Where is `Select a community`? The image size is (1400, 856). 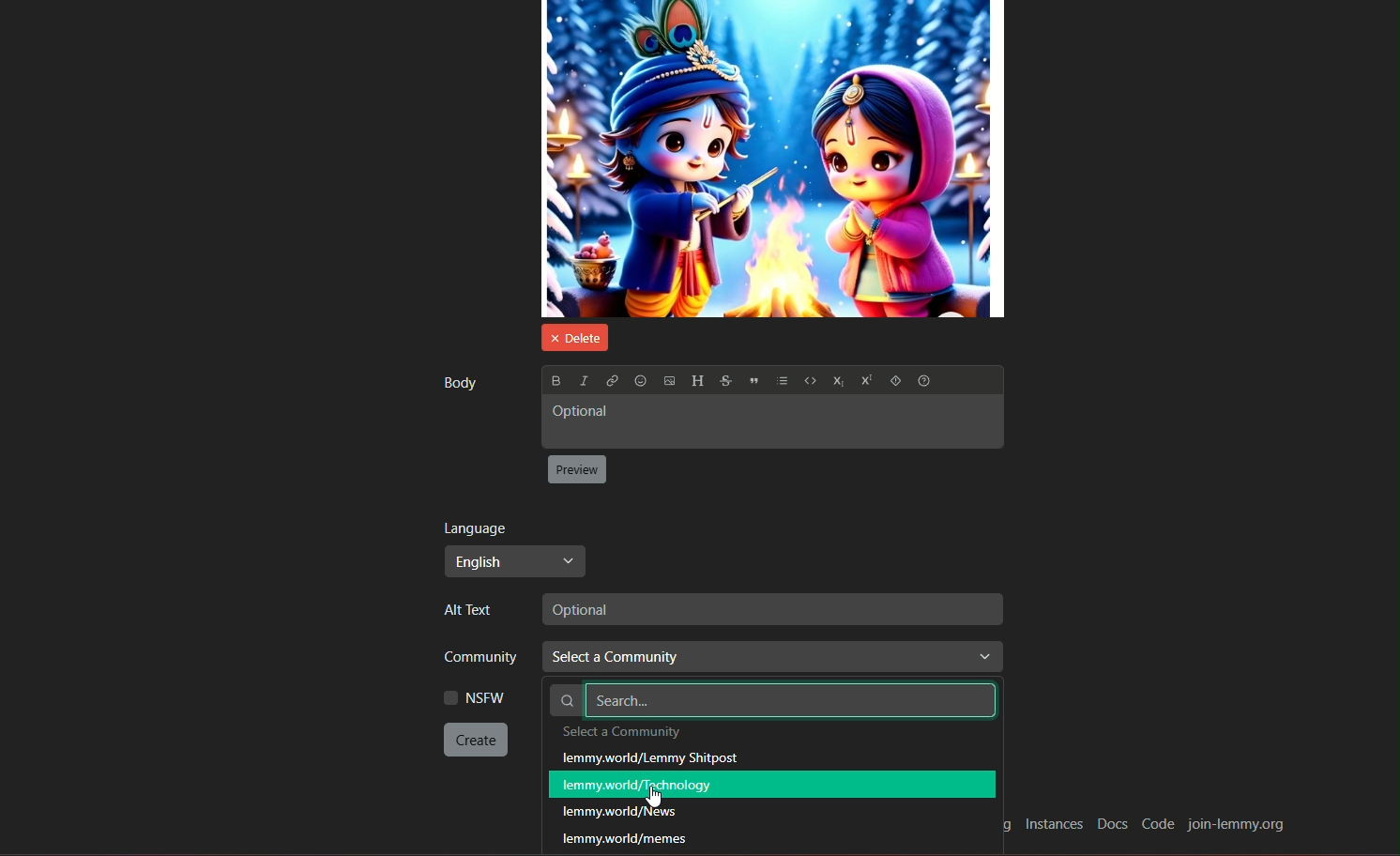
Select a community is located at coordinates (774, 660).